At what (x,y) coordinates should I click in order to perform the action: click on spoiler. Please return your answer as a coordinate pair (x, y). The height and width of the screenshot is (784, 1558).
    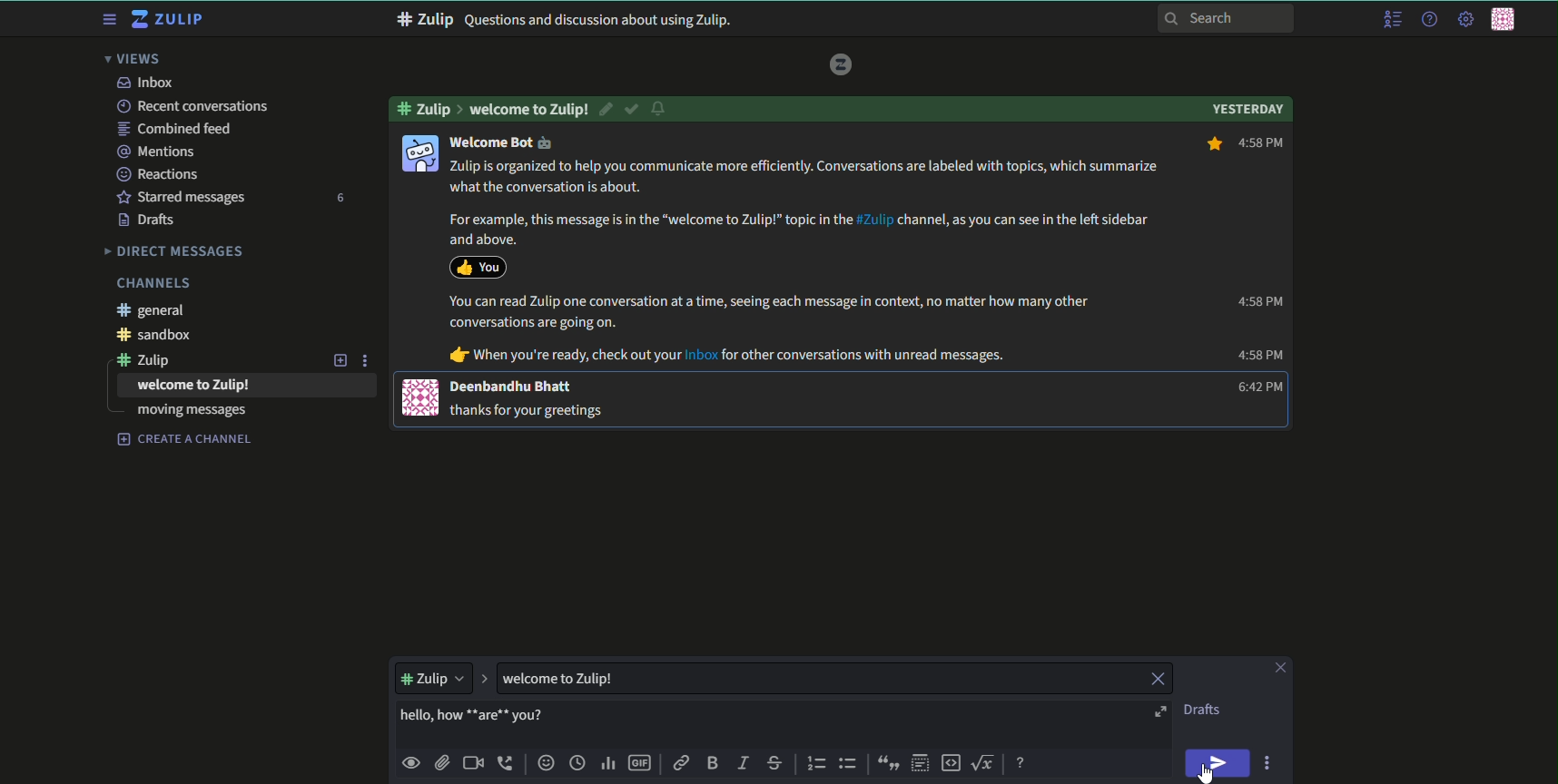
    Looking at the image, I should click on (921, 763).